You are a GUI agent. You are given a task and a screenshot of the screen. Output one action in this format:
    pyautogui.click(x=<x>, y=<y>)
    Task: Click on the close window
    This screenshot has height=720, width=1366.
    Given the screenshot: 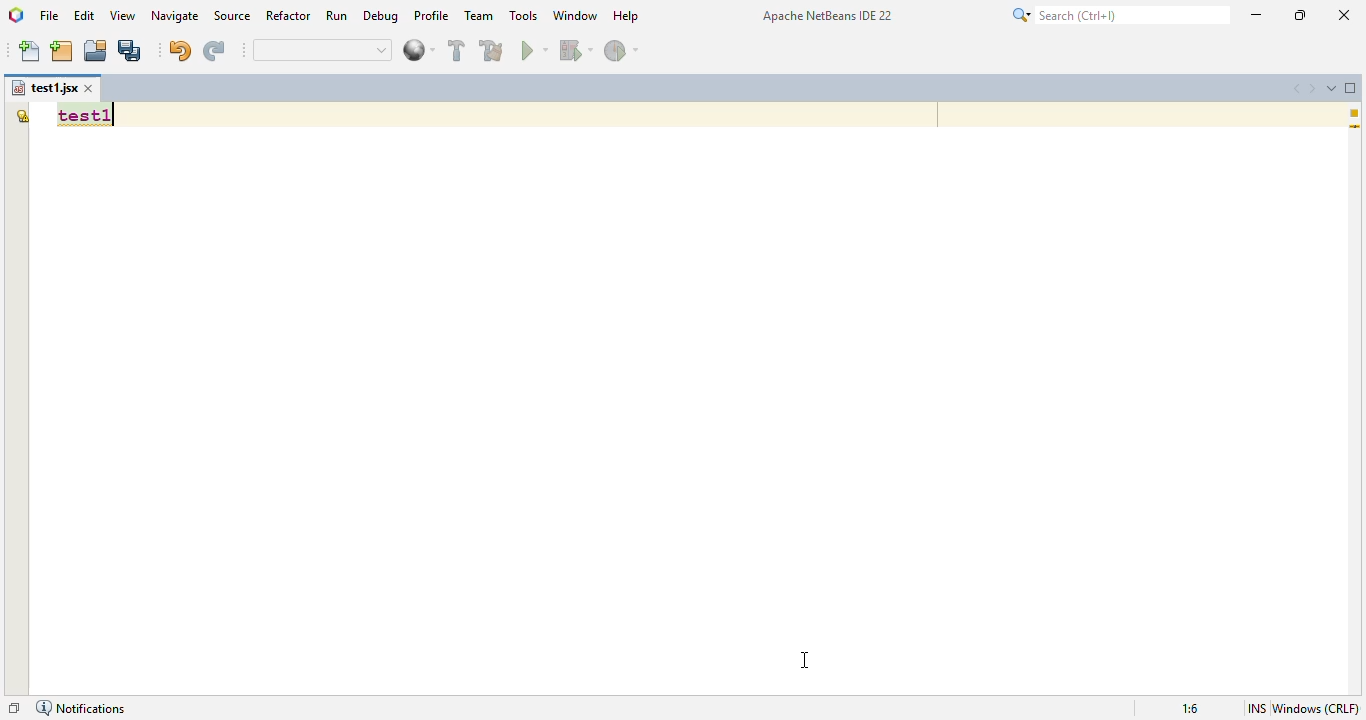 What is the action you would take?
    pyautogui.click(x=90, y=88)
    